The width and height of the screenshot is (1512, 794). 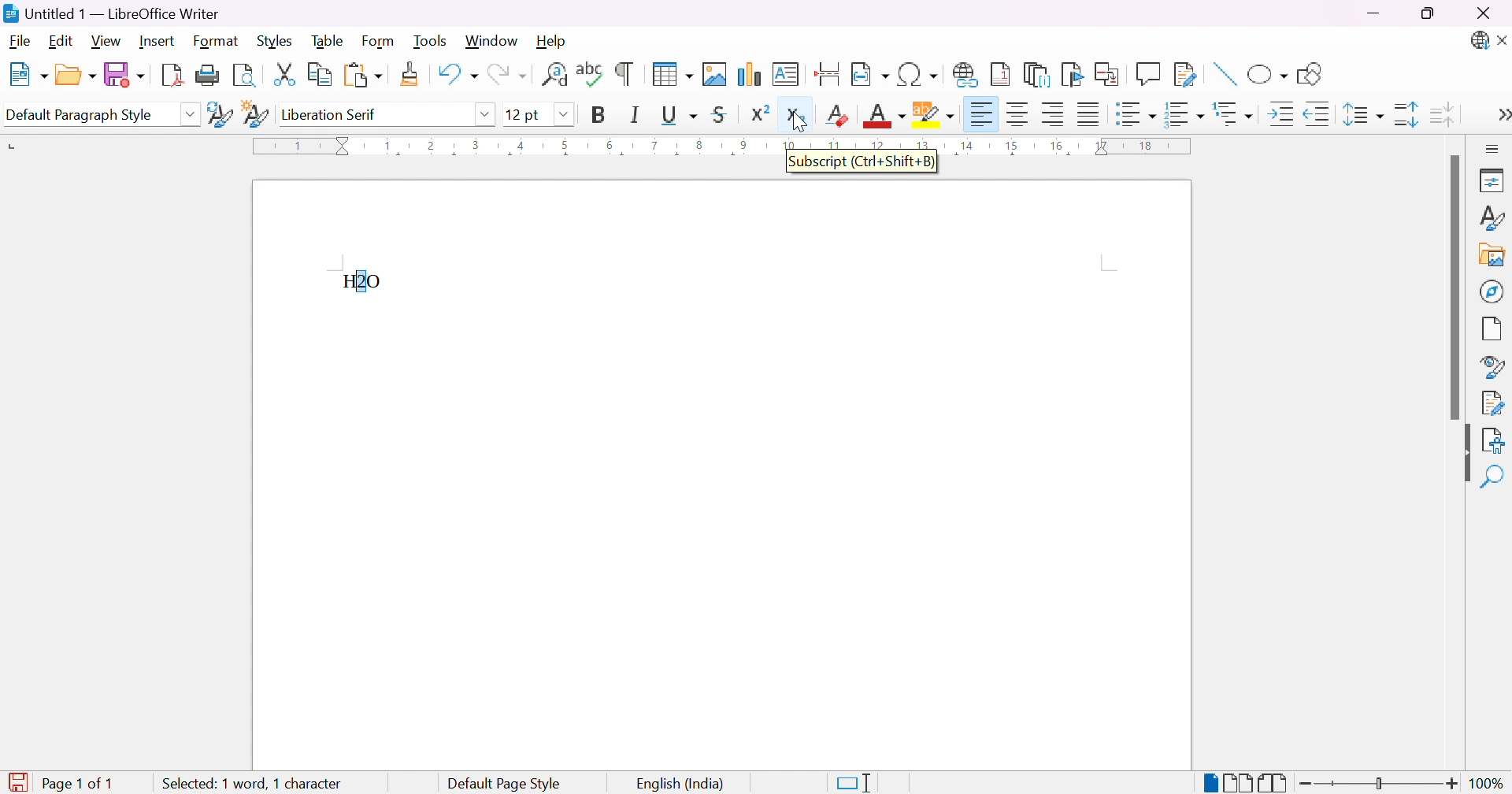 I want to click on Zoom out, so click(x=1306, y=784).